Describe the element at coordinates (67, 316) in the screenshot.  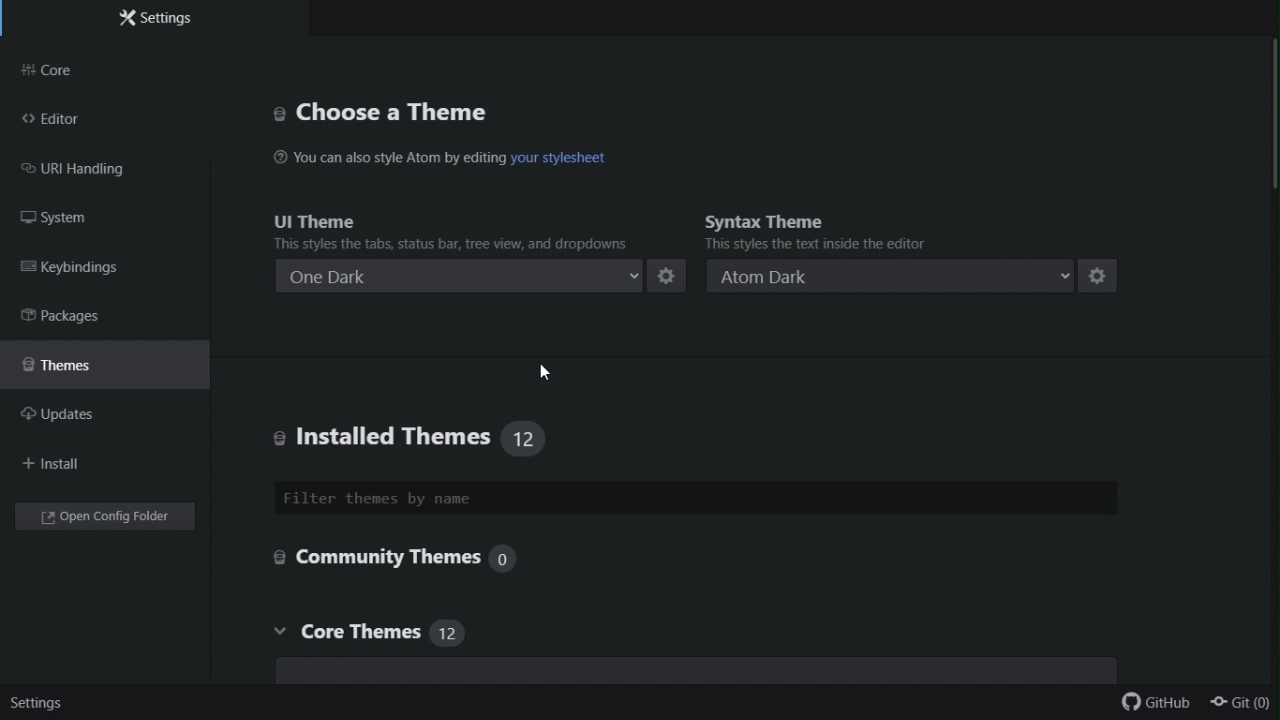
I see `Packages` at that location.